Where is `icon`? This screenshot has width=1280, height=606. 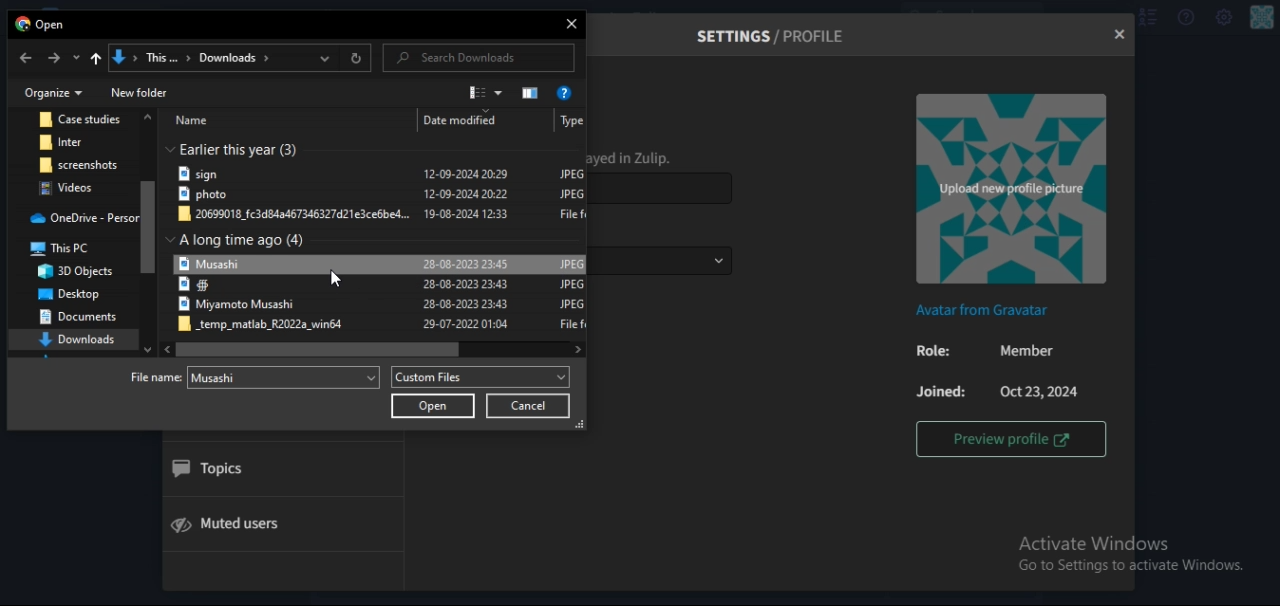
icon is located at coordinates (94, 61).